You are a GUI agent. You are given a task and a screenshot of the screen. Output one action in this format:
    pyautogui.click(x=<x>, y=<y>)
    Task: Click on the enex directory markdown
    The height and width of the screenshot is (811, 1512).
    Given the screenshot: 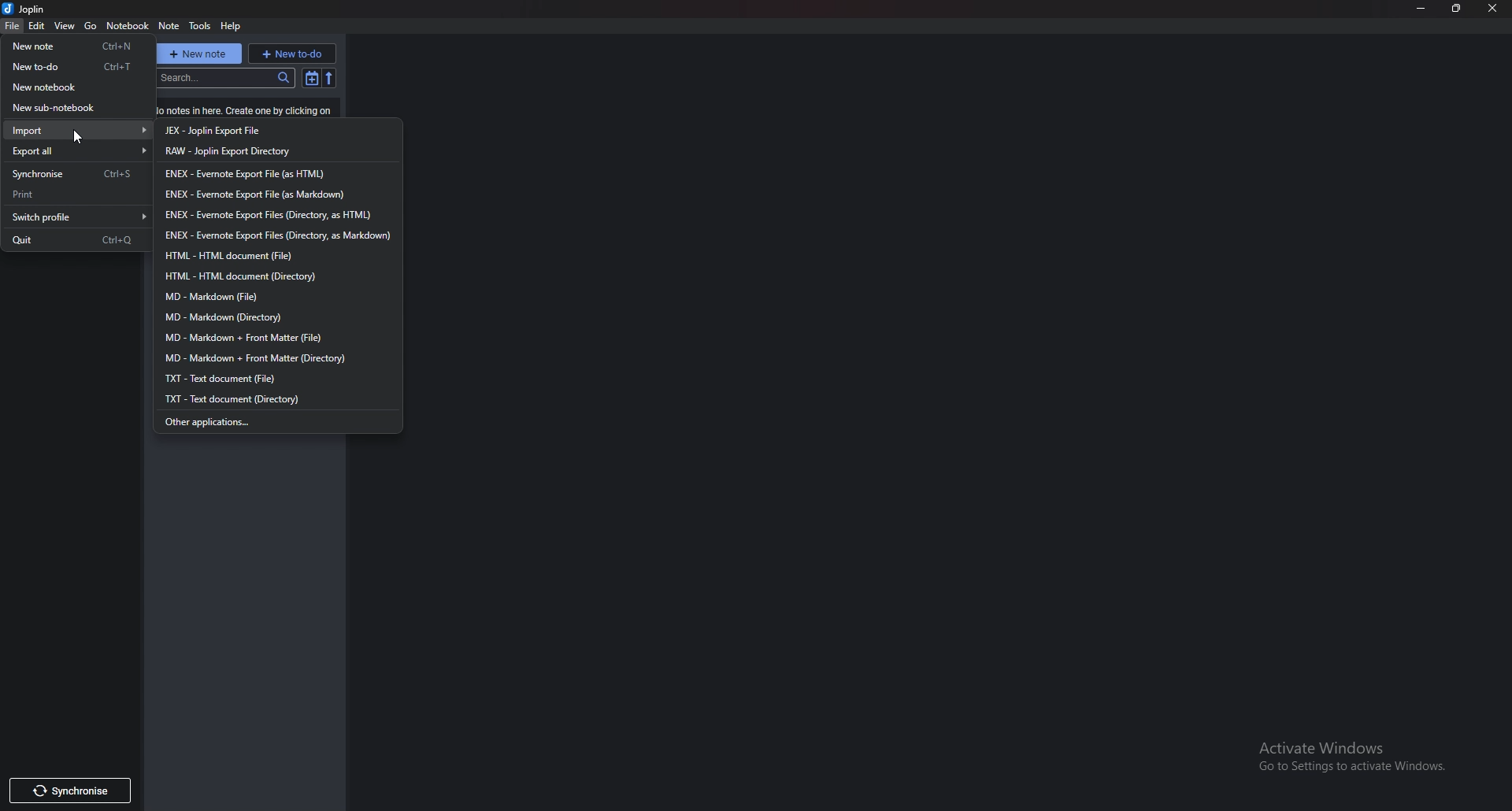 What is the action you would take?
    pyautogui.click(x=276, y=236)
    